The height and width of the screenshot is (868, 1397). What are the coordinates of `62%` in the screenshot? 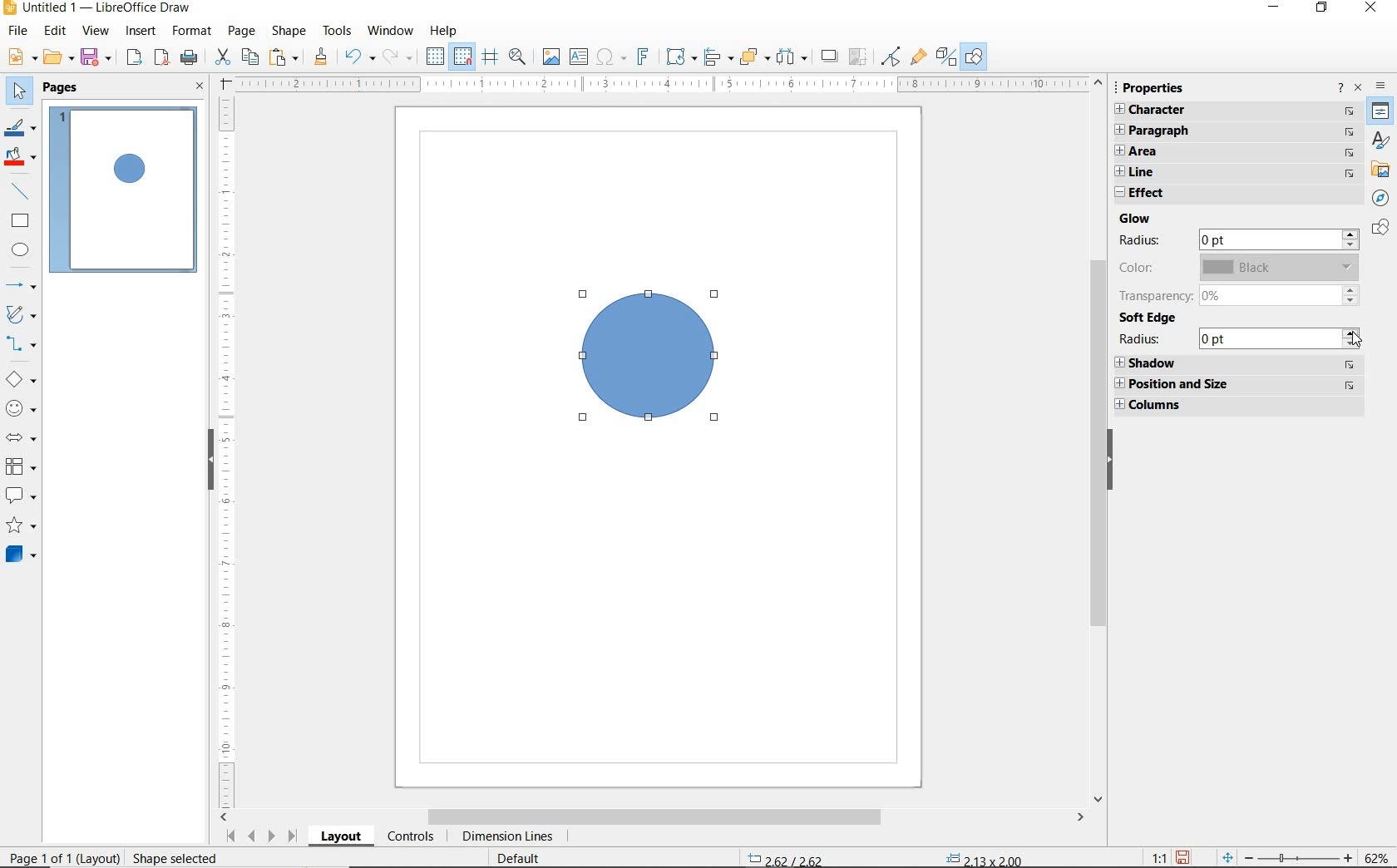 It's located at (1380, 857).